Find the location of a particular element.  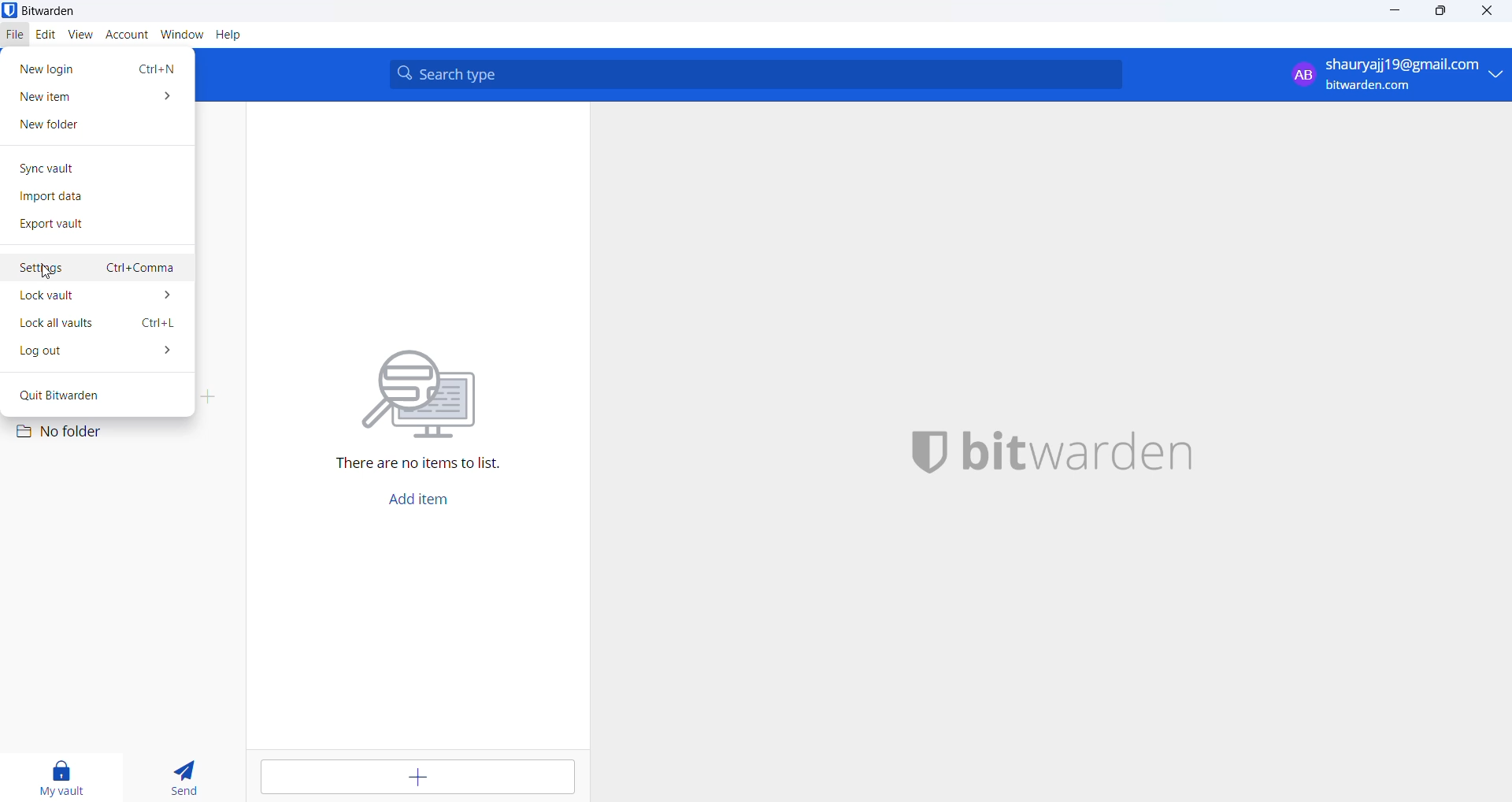

lock vault is located at coordinates (102, 297).